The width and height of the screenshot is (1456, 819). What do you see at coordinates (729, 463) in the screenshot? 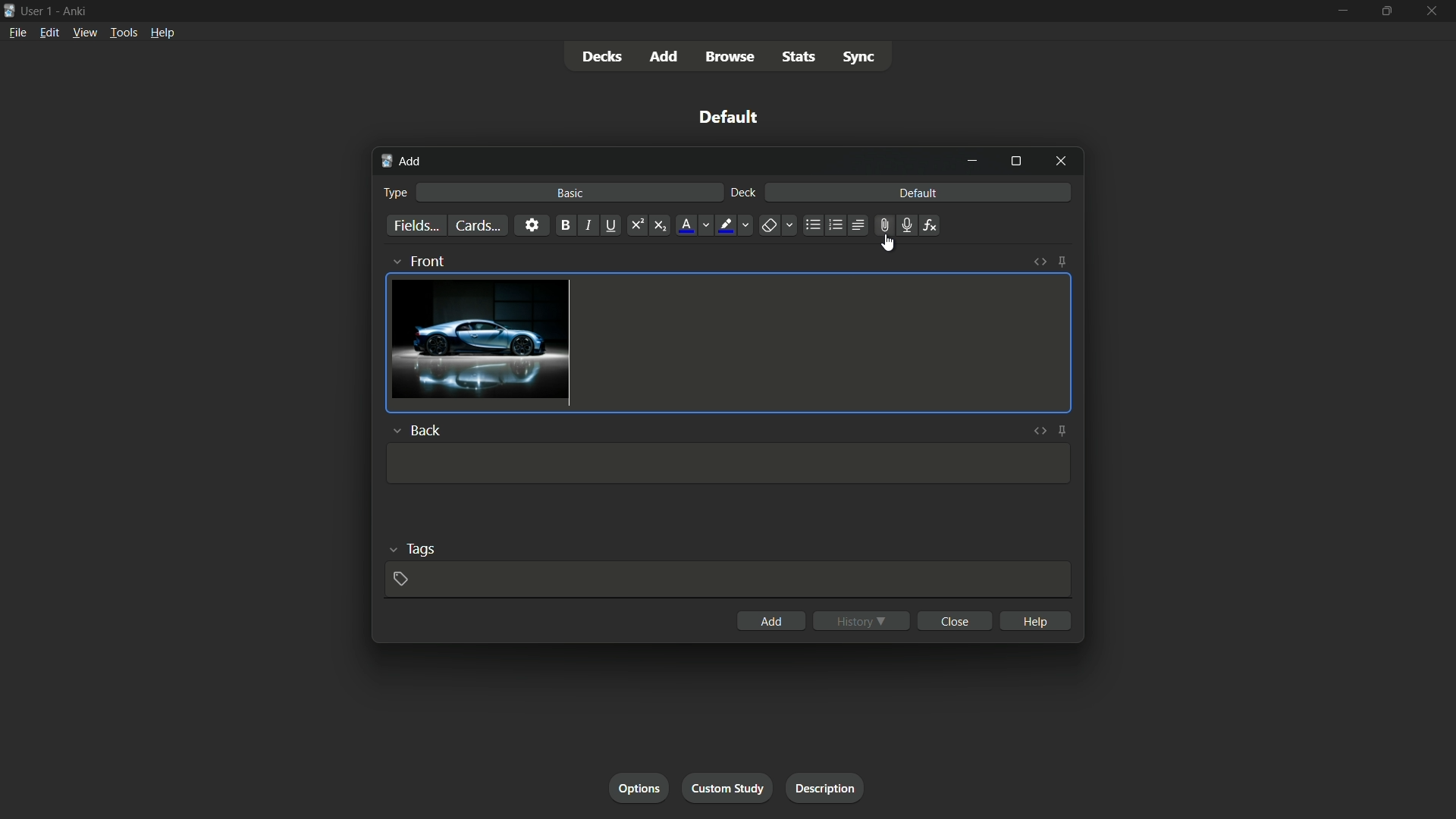
I see `Template` at bounding box center [729, 463].